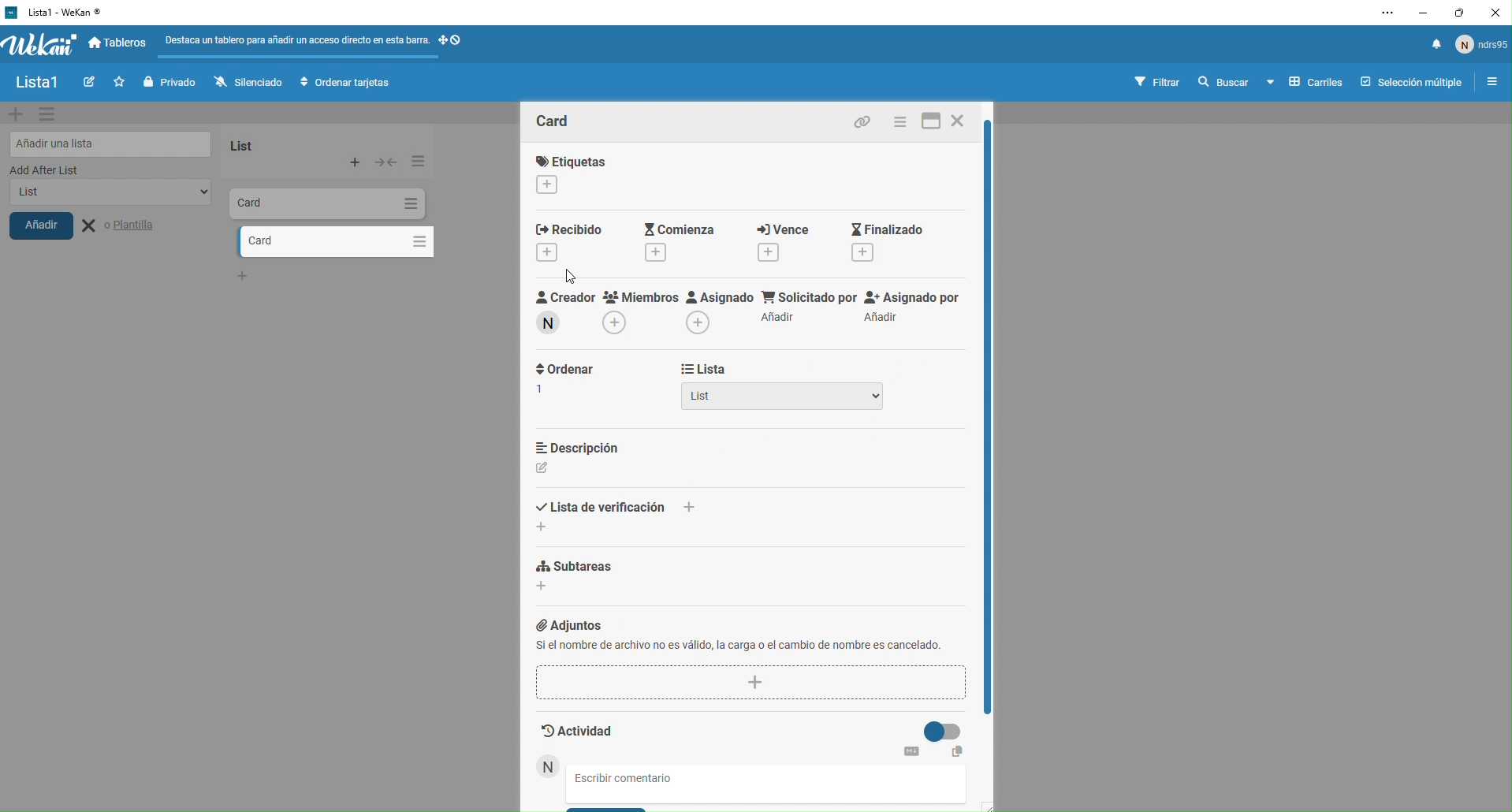  Describe the element at coordinates (244, 82) in the screenshot. I see `silenciado` at that location.